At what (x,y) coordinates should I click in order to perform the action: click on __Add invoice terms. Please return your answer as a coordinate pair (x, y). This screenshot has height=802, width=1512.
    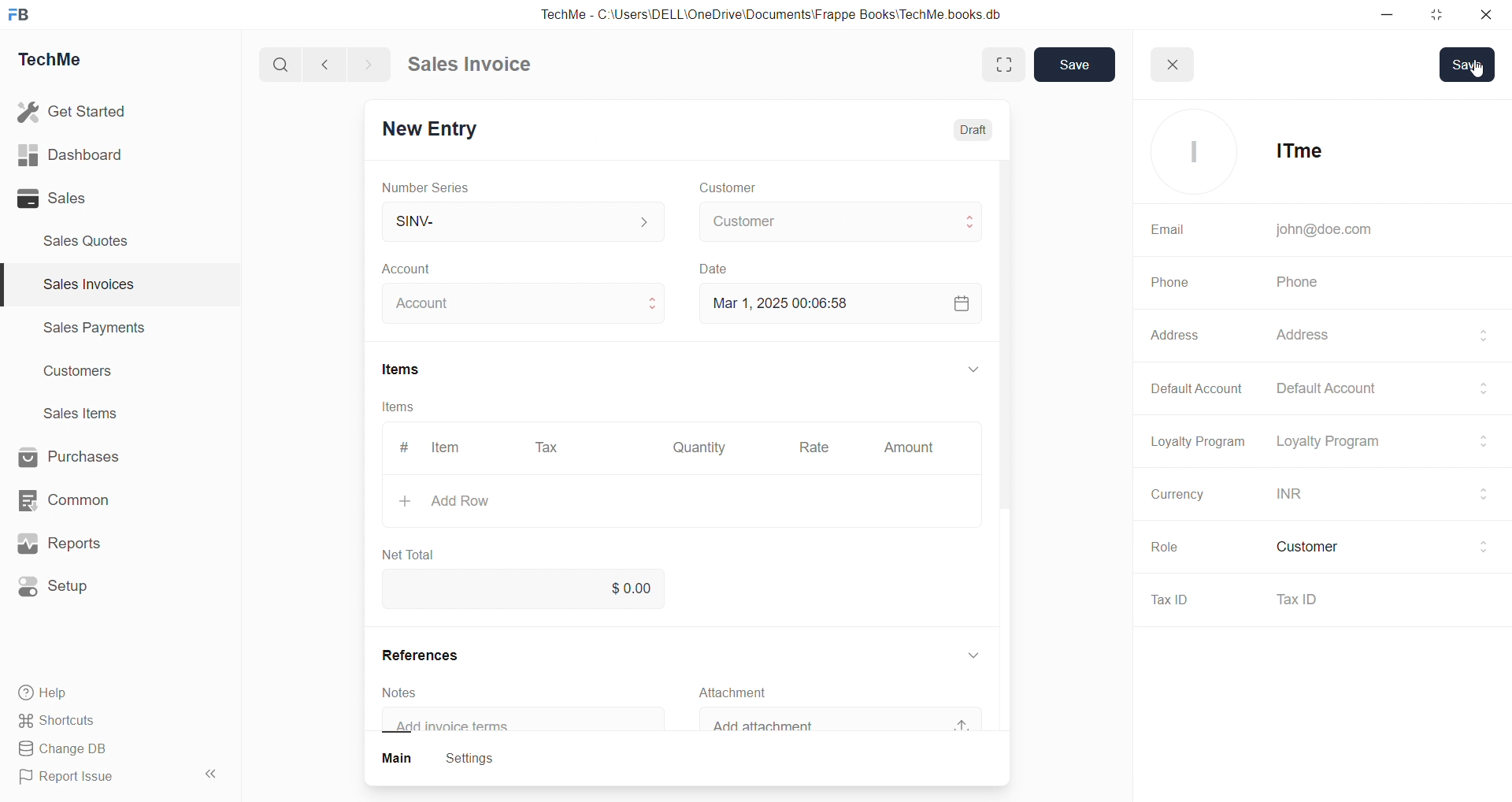
    Looking at the image, I should click on (465, 724).